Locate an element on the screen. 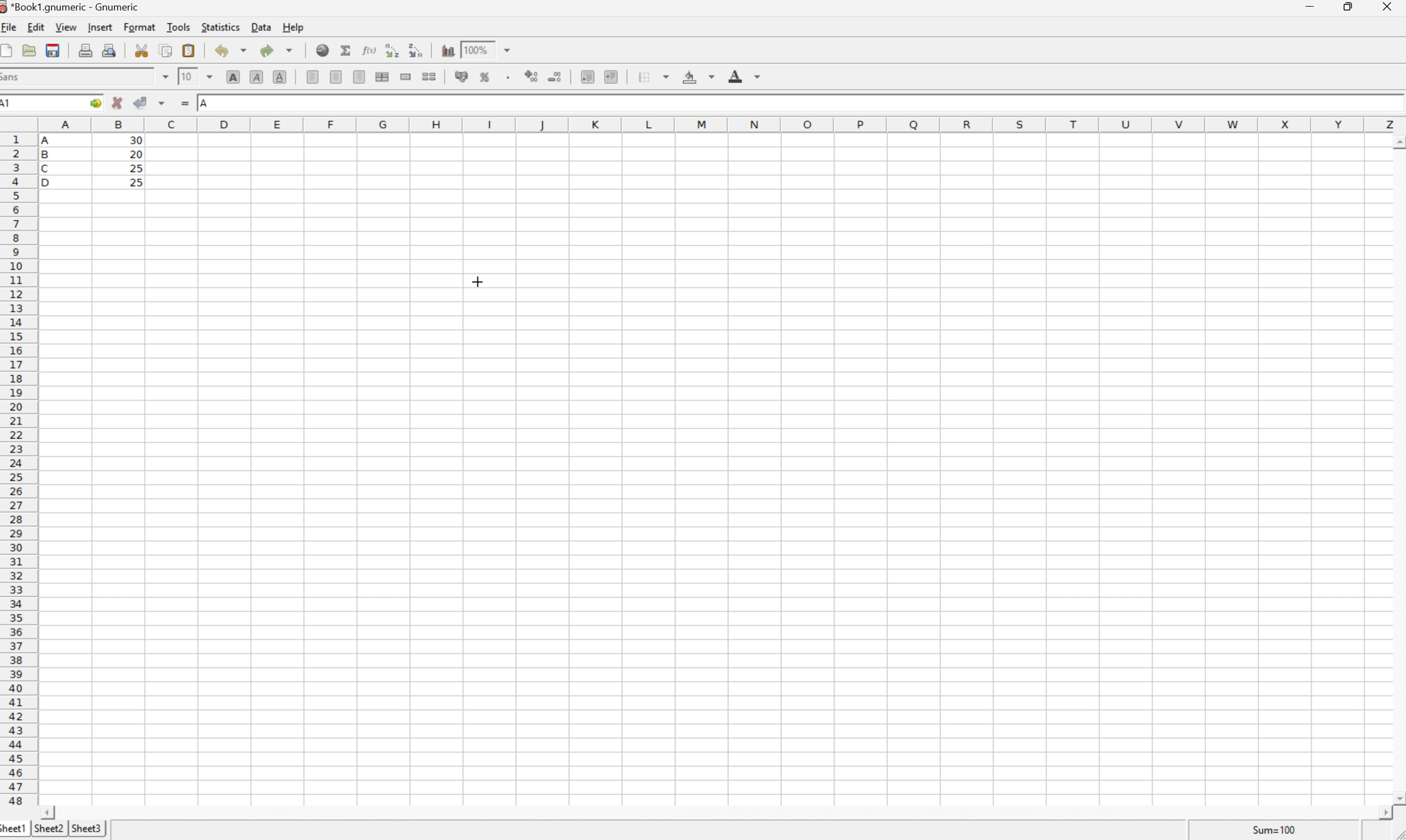  A is located at coordinates (50, 138).